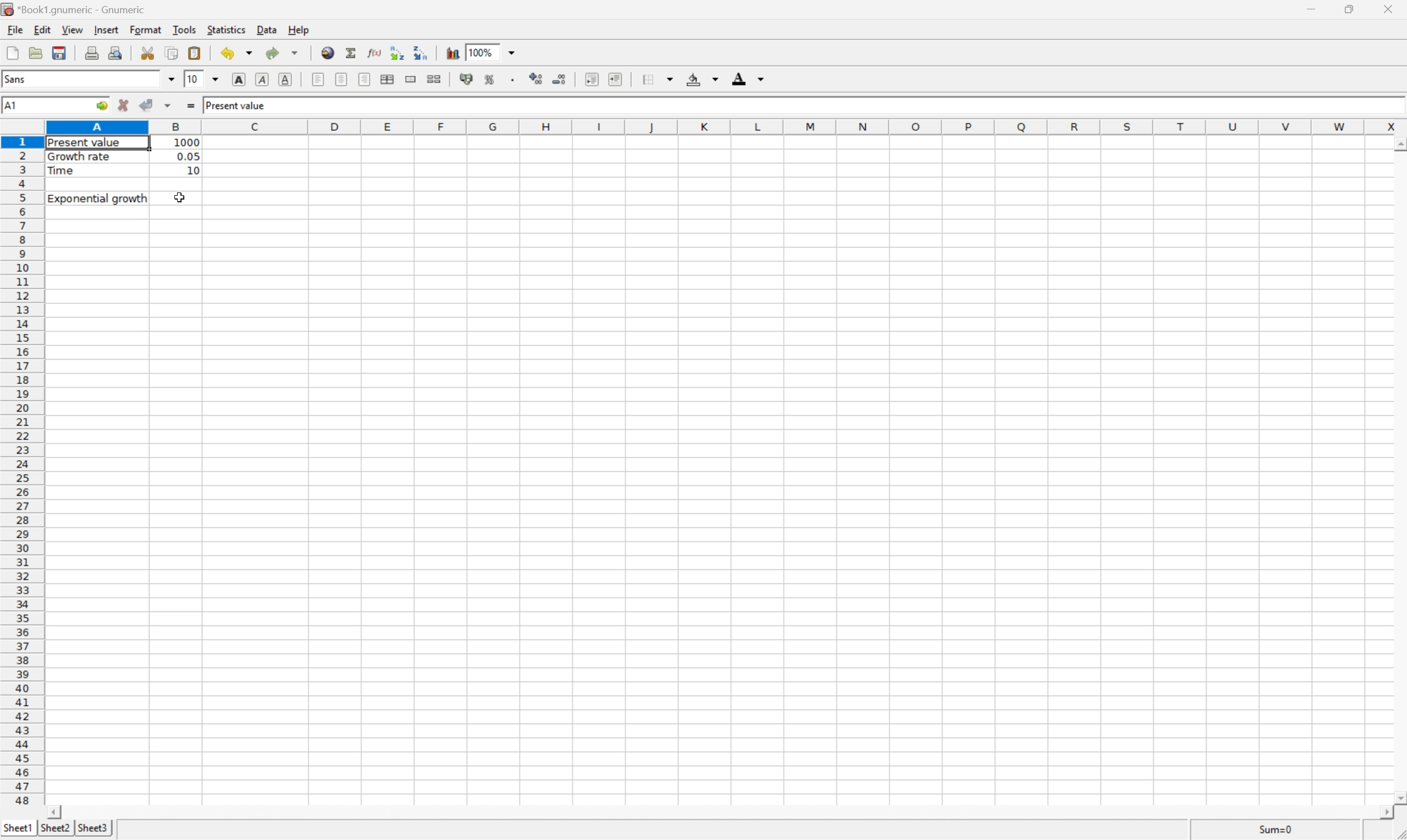 The image size is (1407, 840). What do you see at coordinates (167, 105) in the screenshot?
I see `Accept changes in multiple cells` at bounding box center [167, 105].